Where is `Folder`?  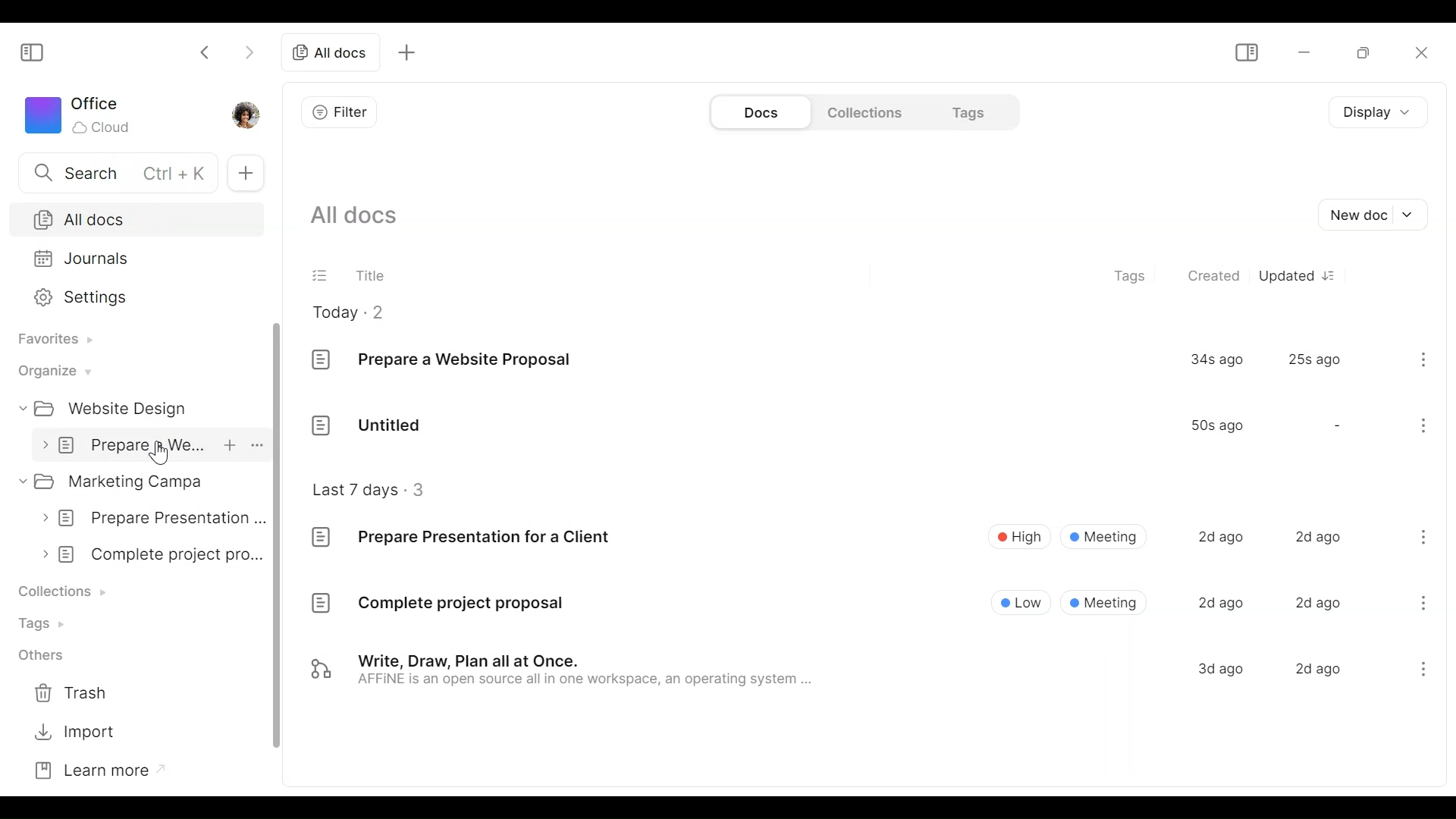 Folder is located at coordinates (106, 409).